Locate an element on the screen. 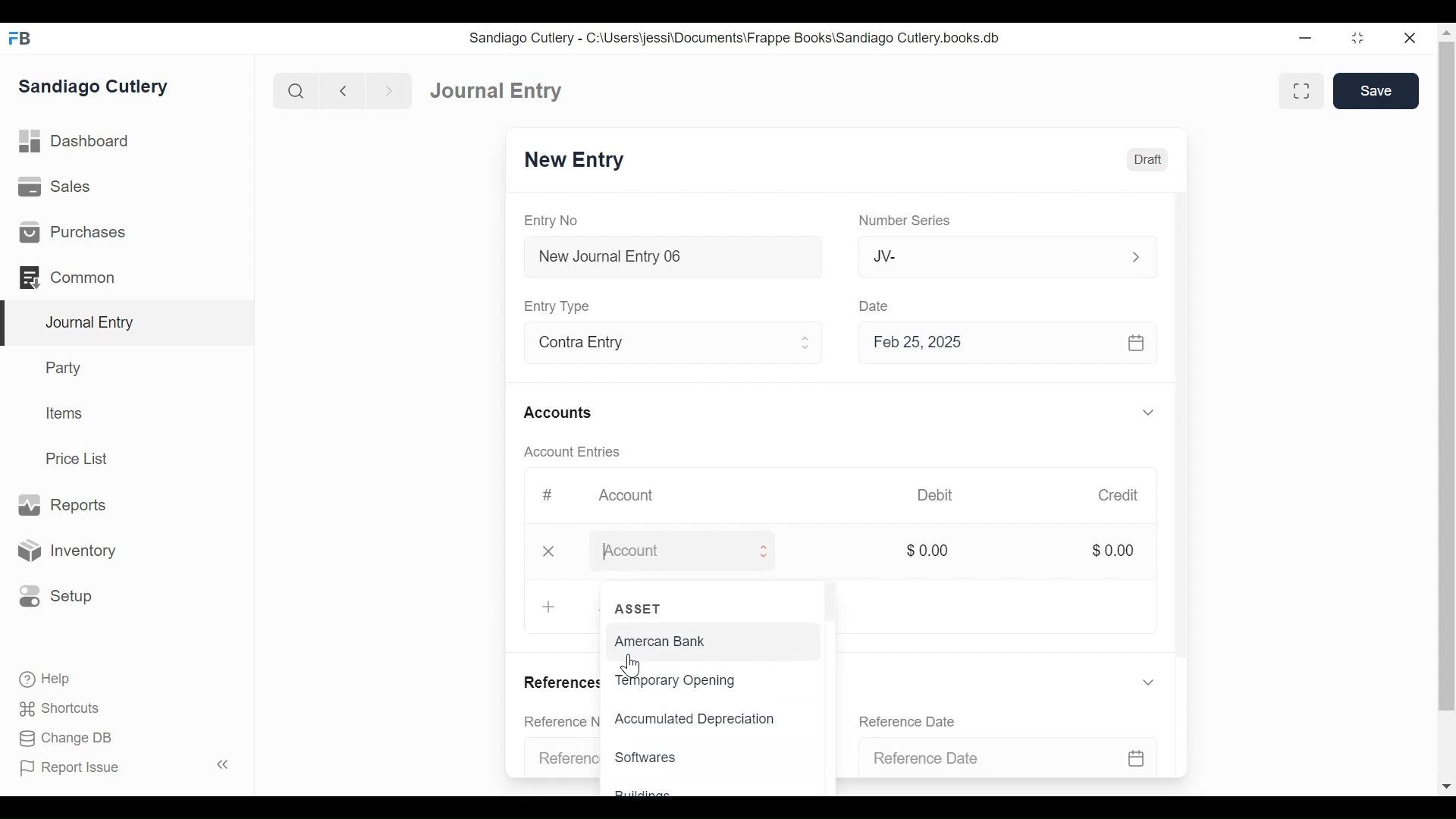 The width and height of the screenshot is (1456, 819). Cursor is located at coordinates (631, 664).